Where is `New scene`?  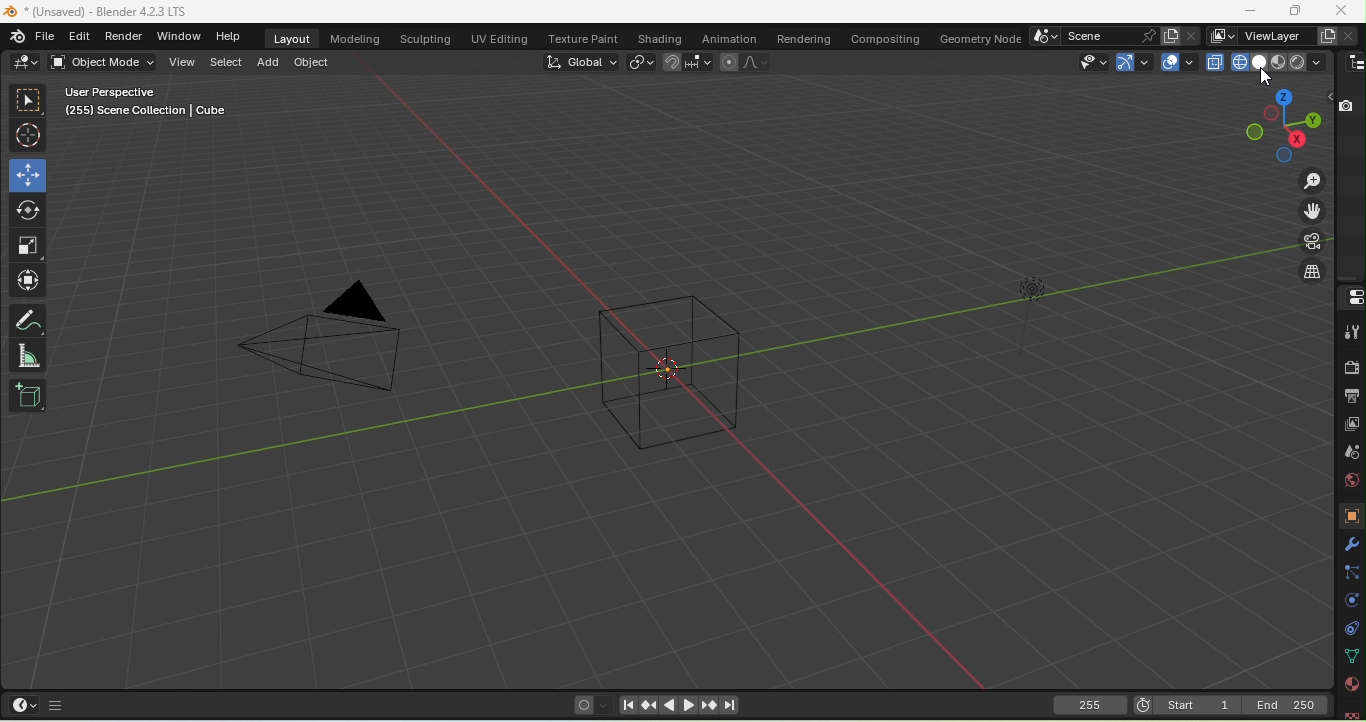
New scene is located at coordinates (1169, 35).